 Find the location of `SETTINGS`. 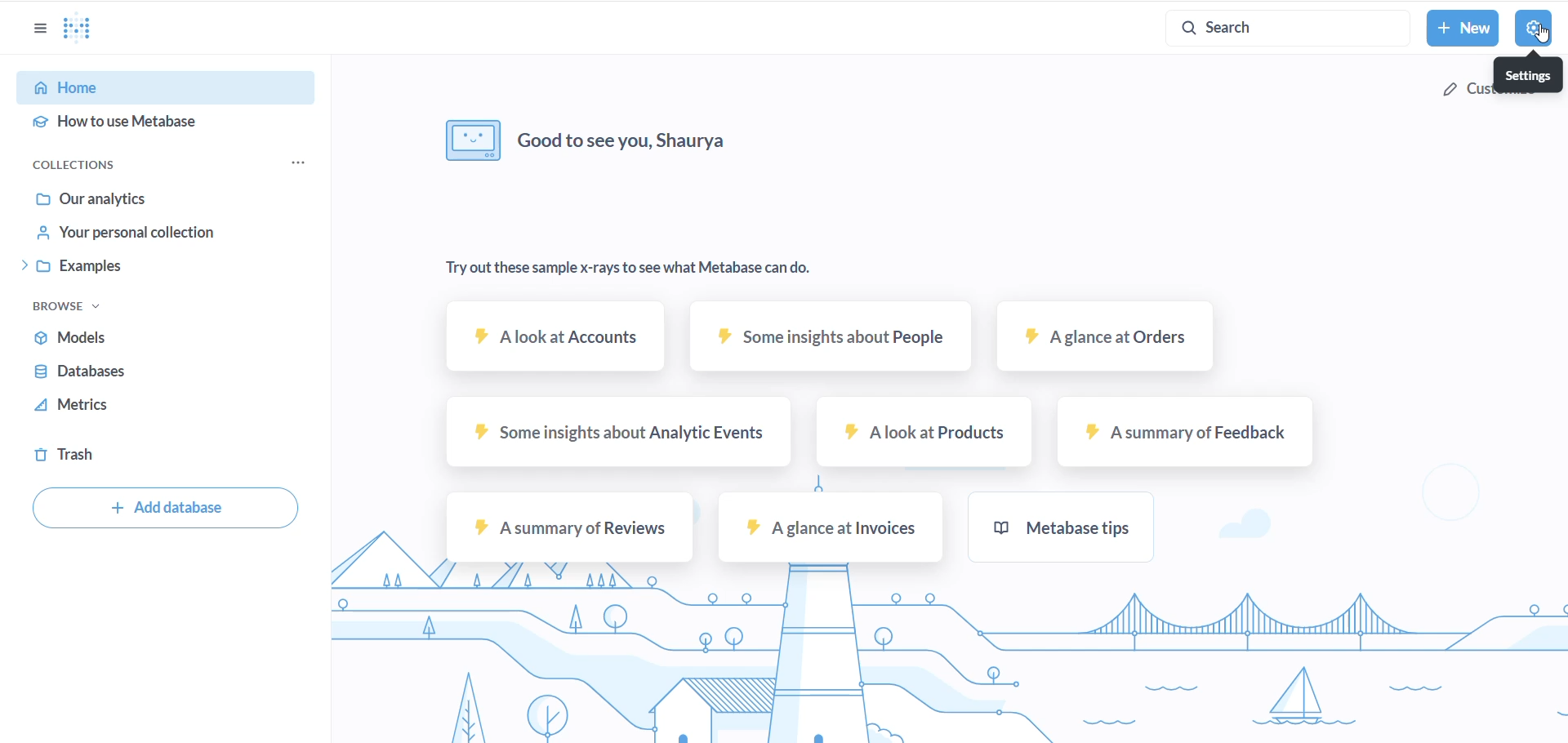

SETTINGS is located at coordinates (1533, 29).